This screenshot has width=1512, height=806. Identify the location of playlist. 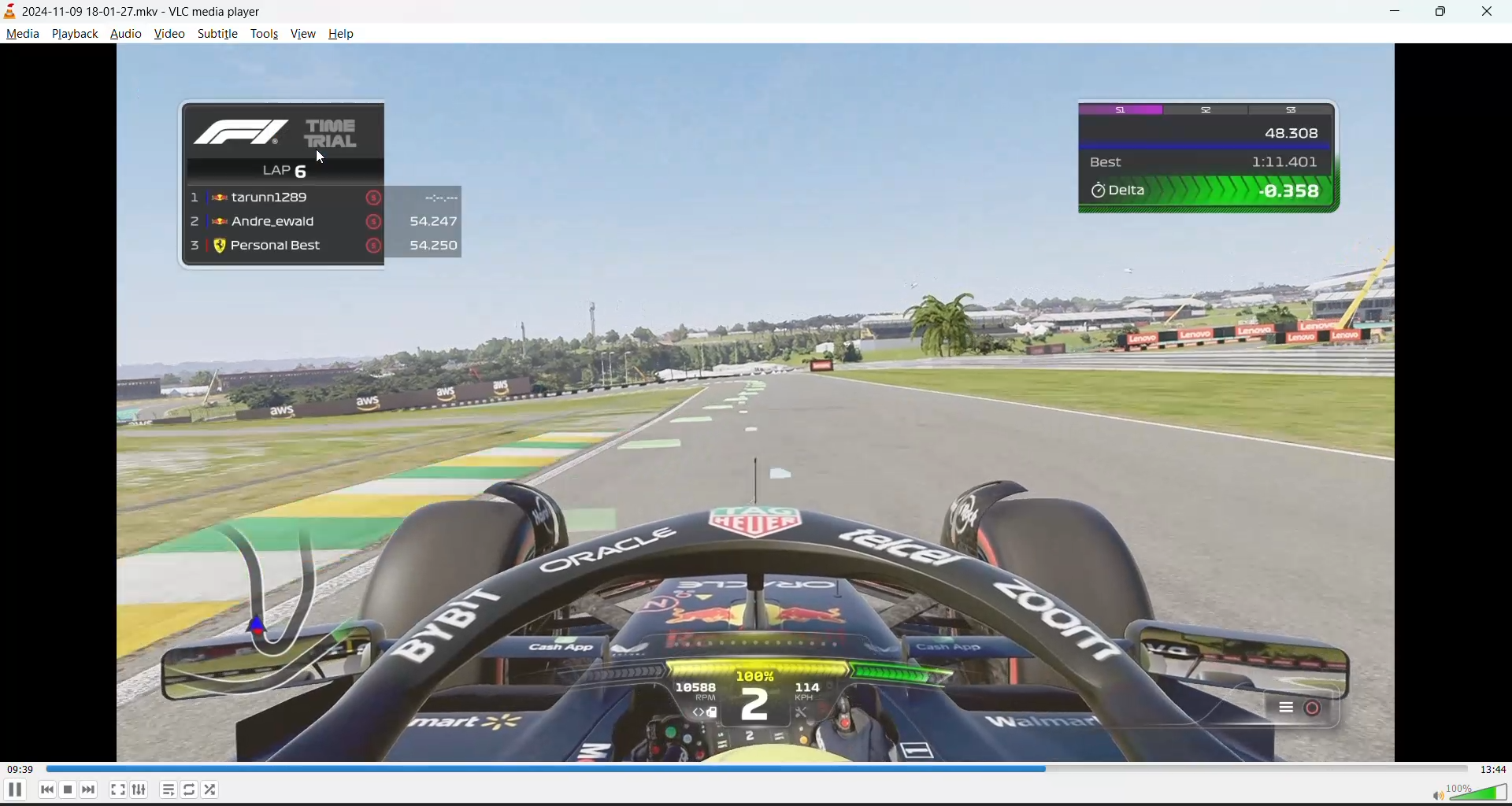
(166, 789).